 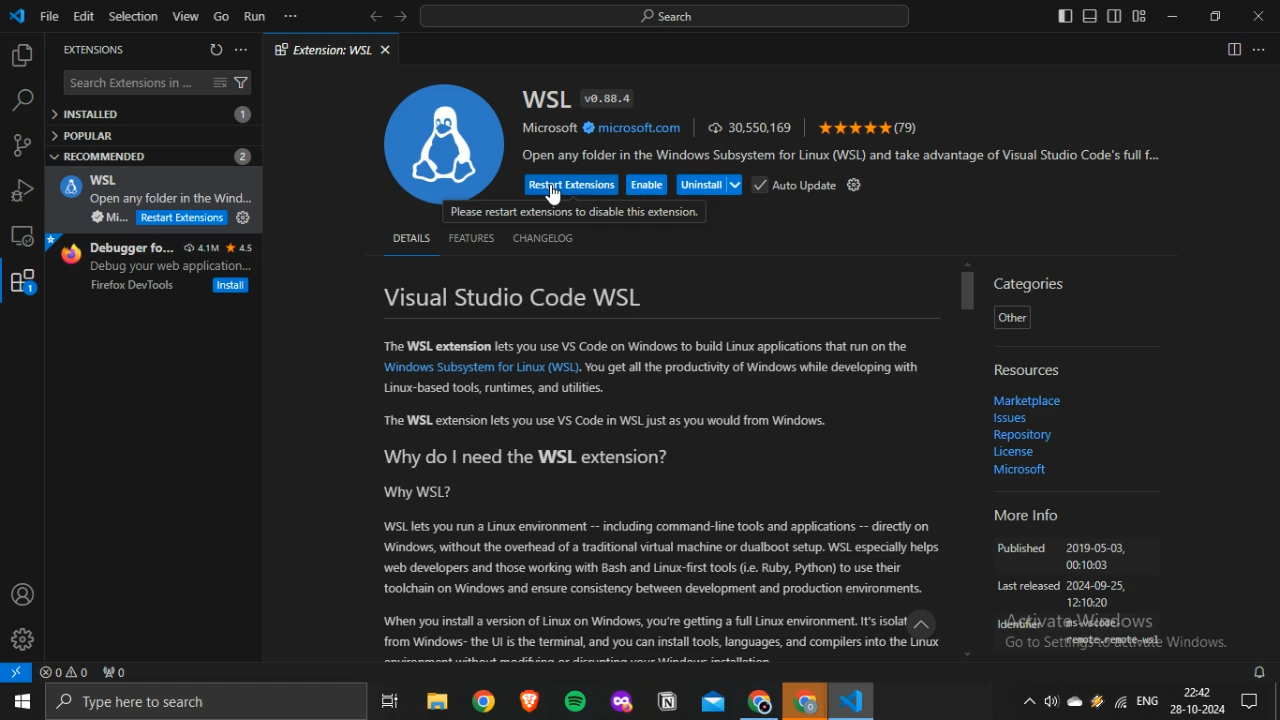 I want to click on The WSL extension lets you use VS Code on Windows to build Linux applications that run on the, so click(x=644, y=348).